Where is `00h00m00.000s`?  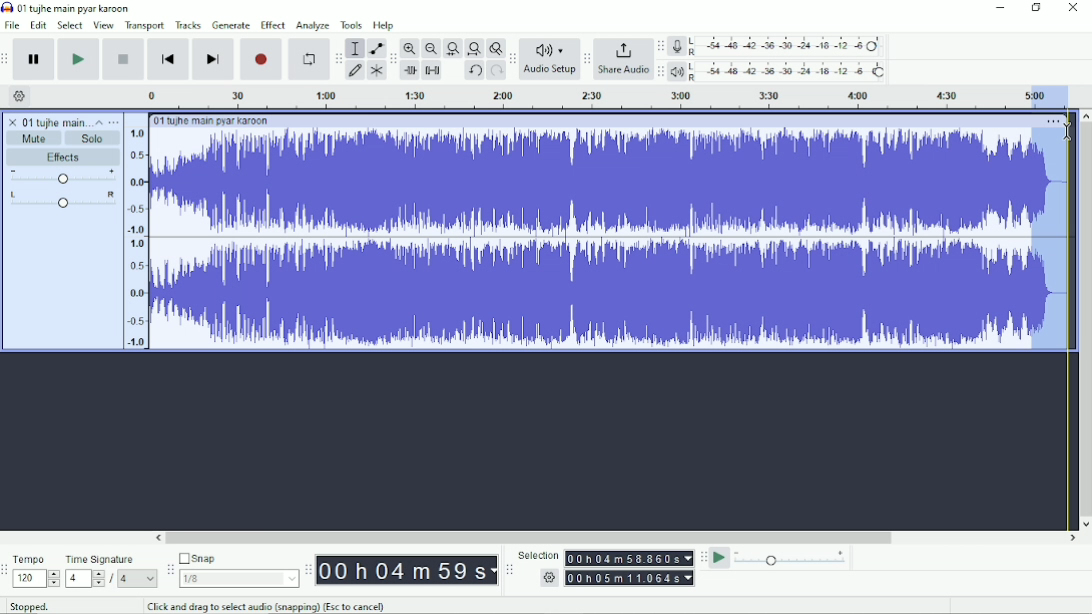 00h00m00.000s is located at coordinates (630, 578).